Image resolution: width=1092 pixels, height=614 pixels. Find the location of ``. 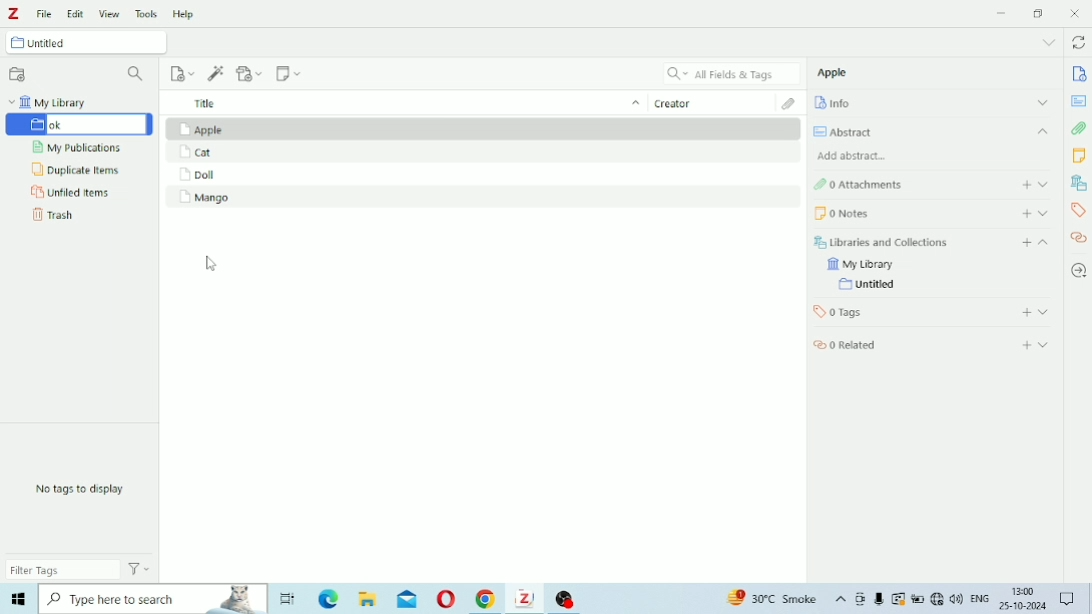

 is located at coordinates (16, 600).